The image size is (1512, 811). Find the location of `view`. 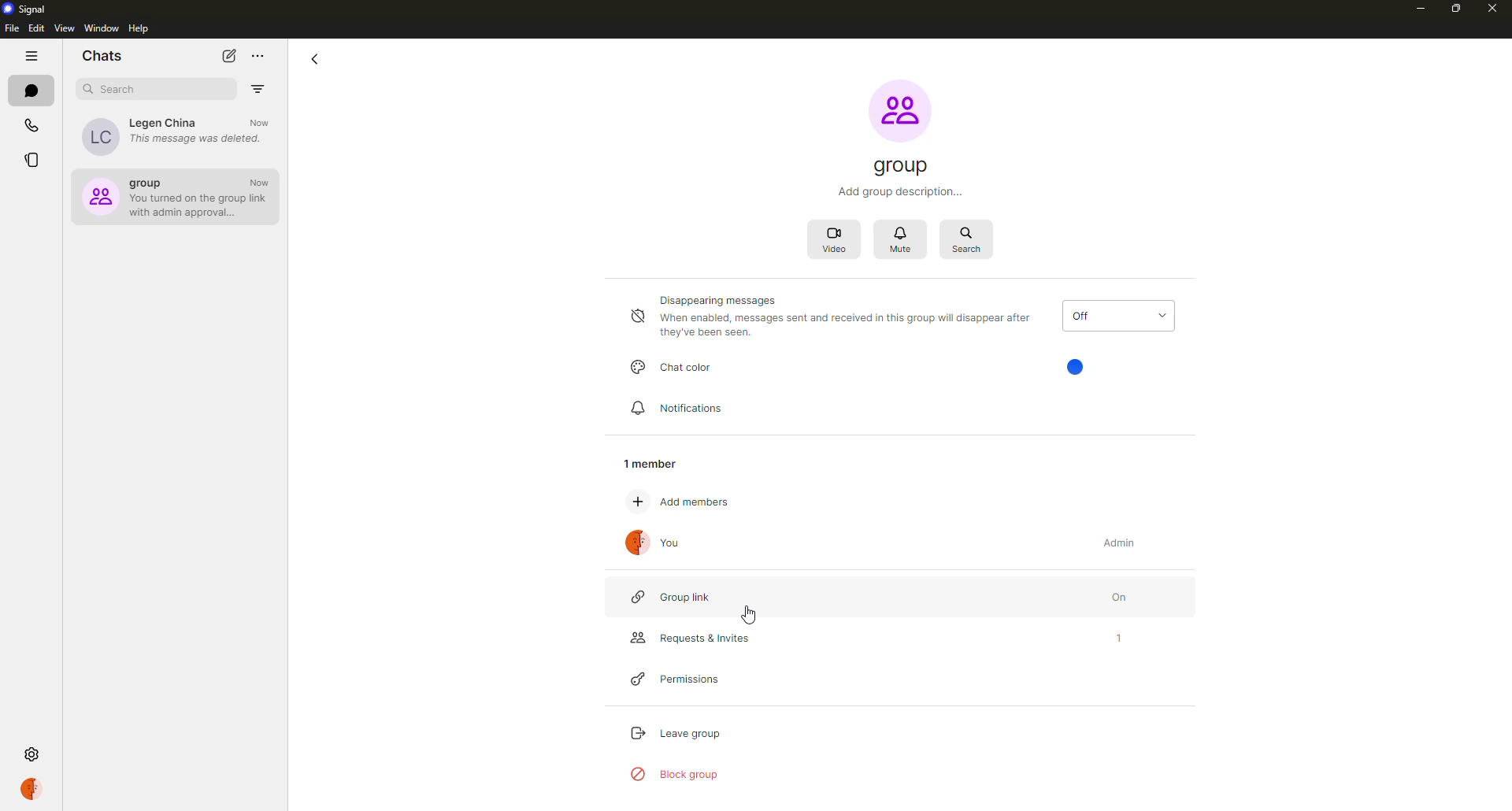

view is located at coordinates (64, 29).